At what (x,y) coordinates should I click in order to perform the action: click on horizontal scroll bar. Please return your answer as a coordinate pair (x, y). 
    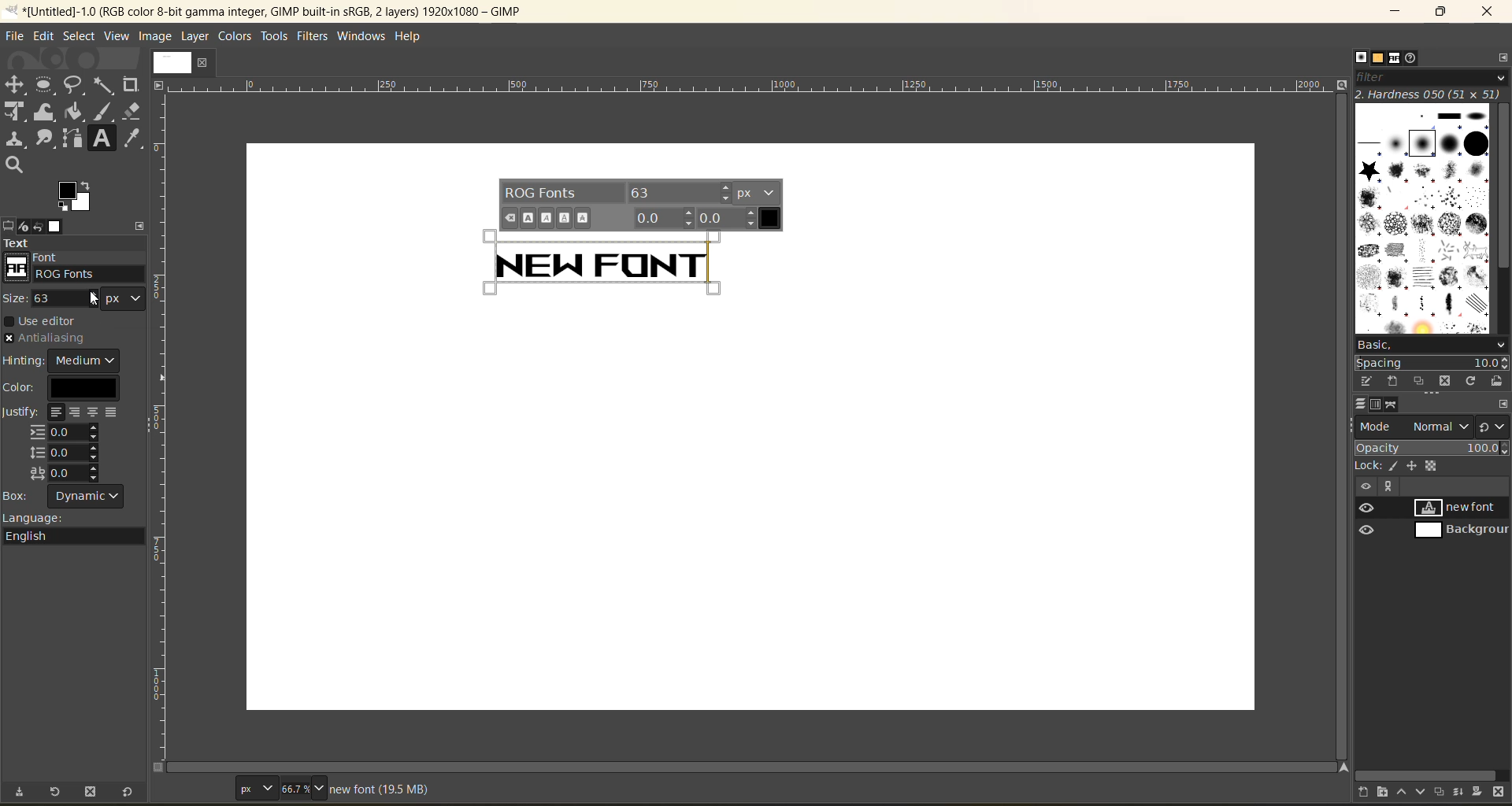
    Looking at the image, I should click on (1428, 775).